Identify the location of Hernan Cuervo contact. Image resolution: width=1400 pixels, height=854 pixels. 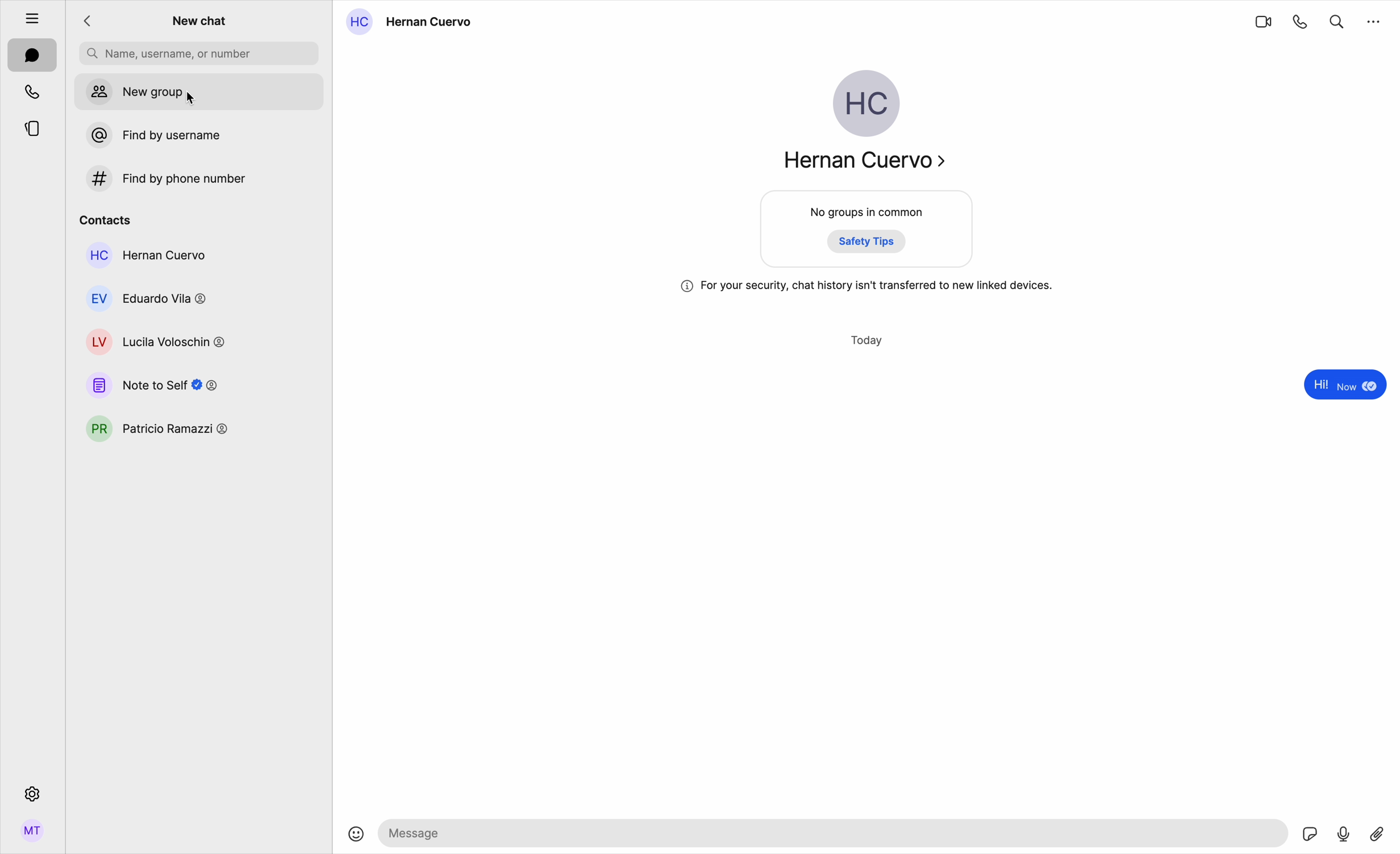
(414, 22).